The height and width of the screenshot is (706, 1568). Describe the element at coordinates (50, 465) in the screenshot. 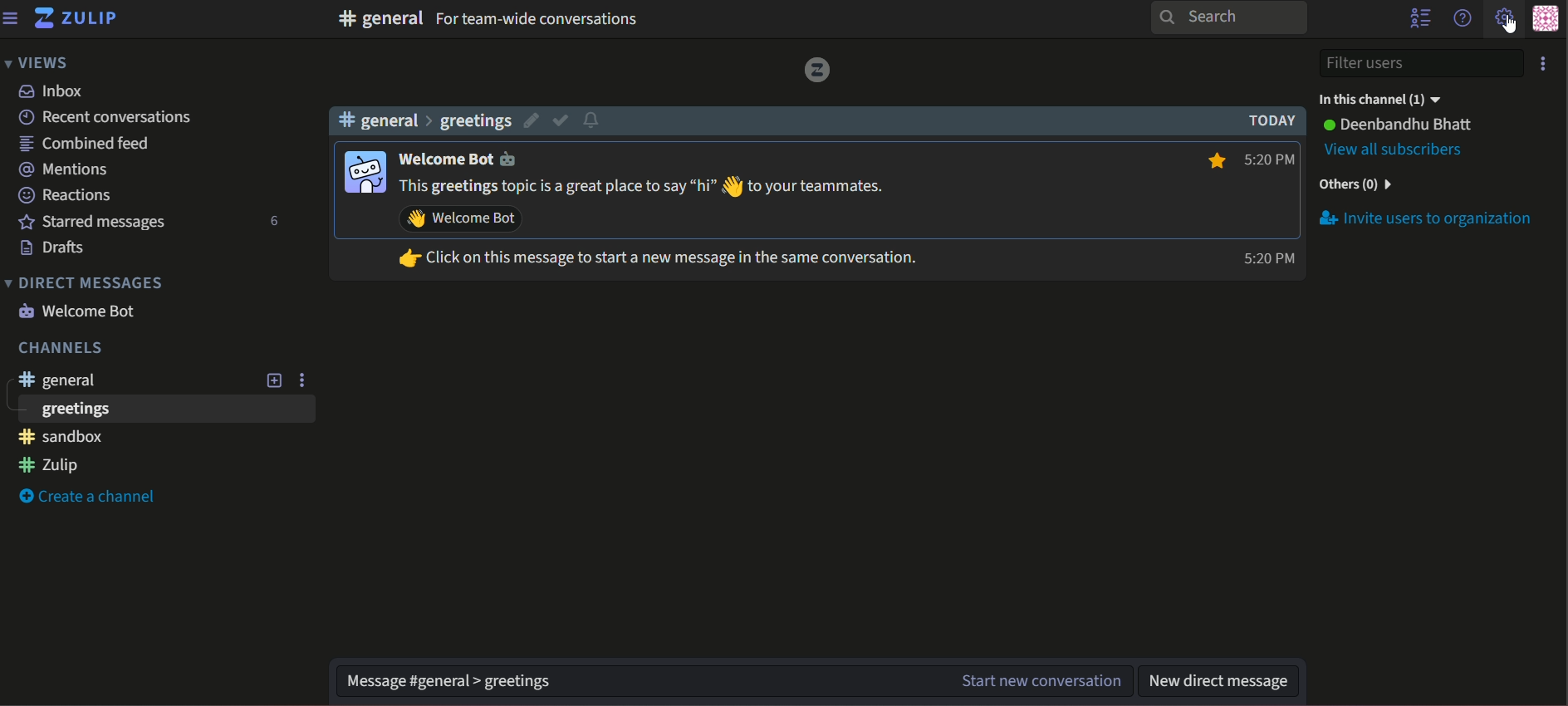

I see `zulip` at that location.